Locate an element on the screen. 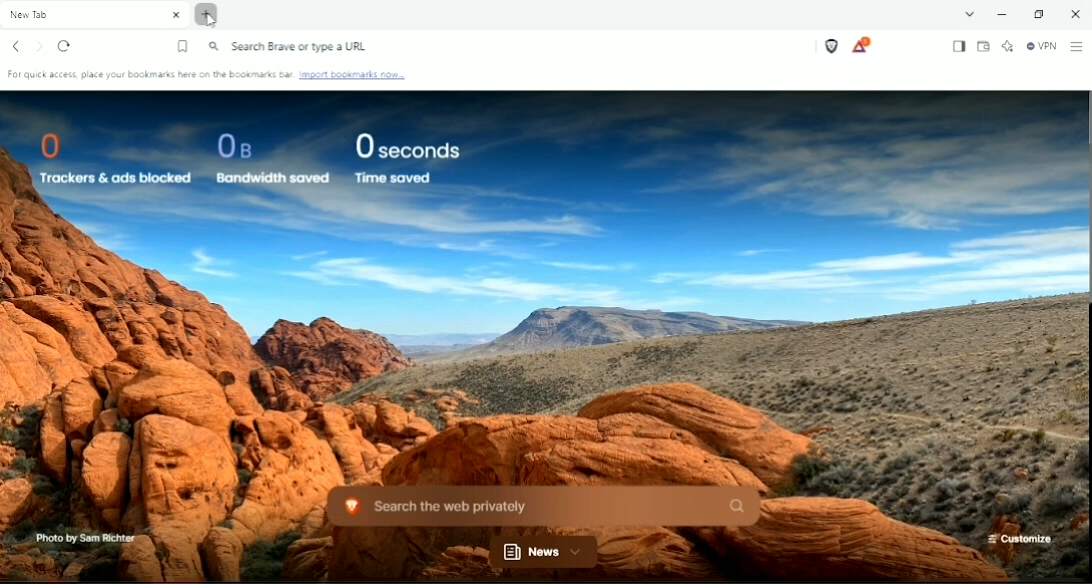 The width and height of the screenshot is (1092, 584). Reload this page is located at coordinates (64, 45).